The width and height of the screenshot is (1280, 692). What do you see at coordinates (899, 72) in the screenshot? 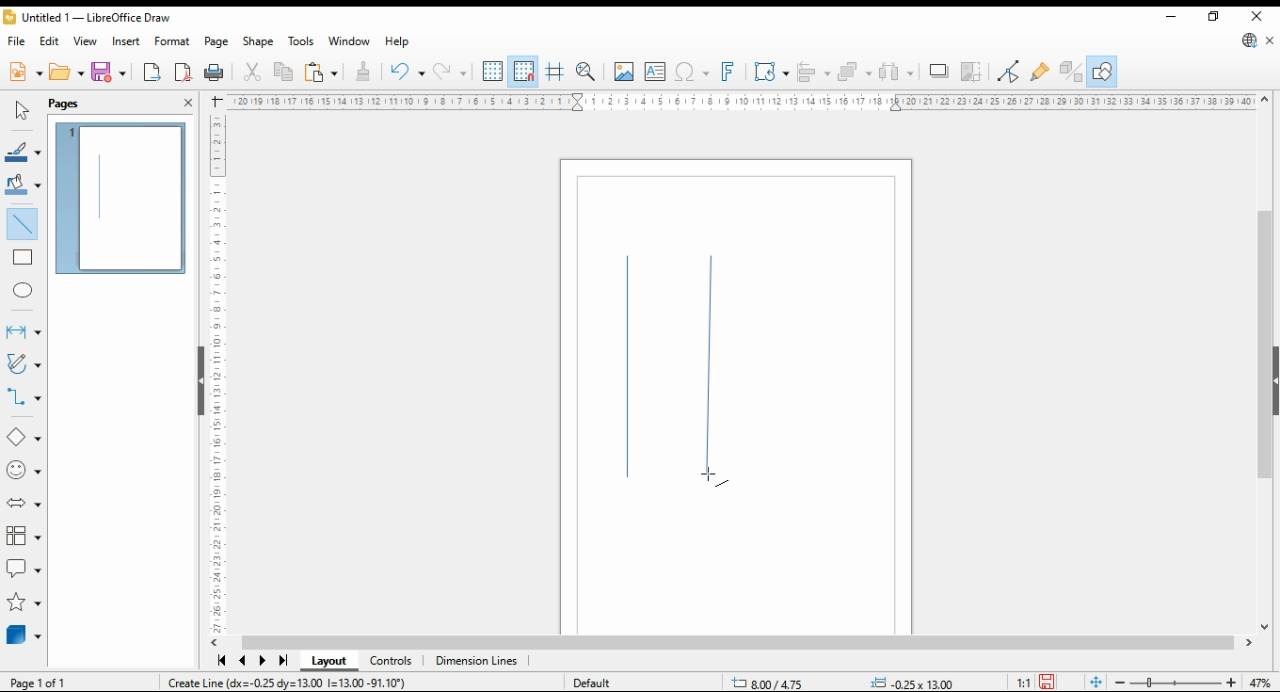
I see `select at least three objects to distribute` at bounding box center [899, 72].